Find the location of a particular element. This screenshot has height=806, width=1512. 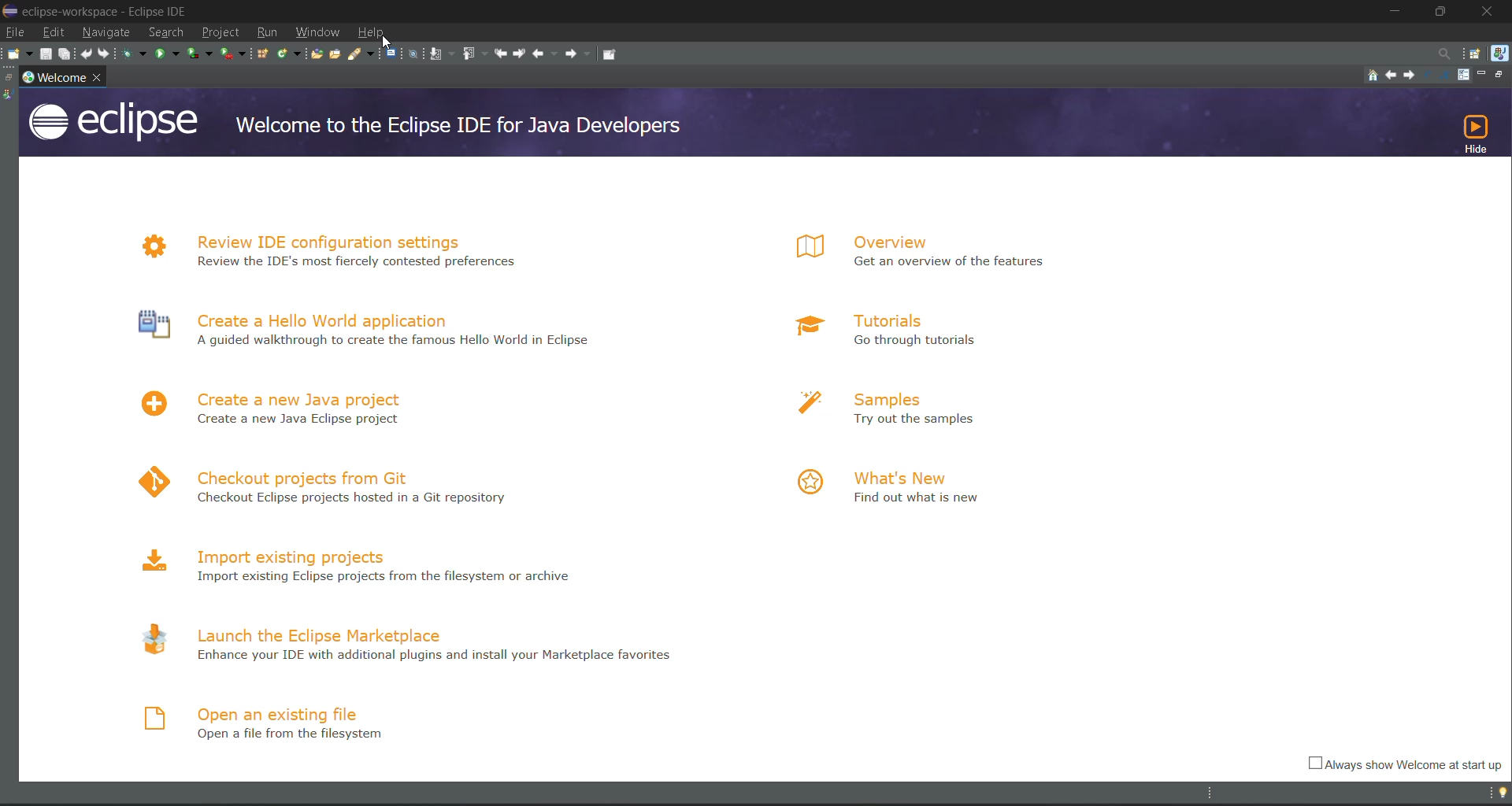

next annotation is located at coordinates (439, 57).